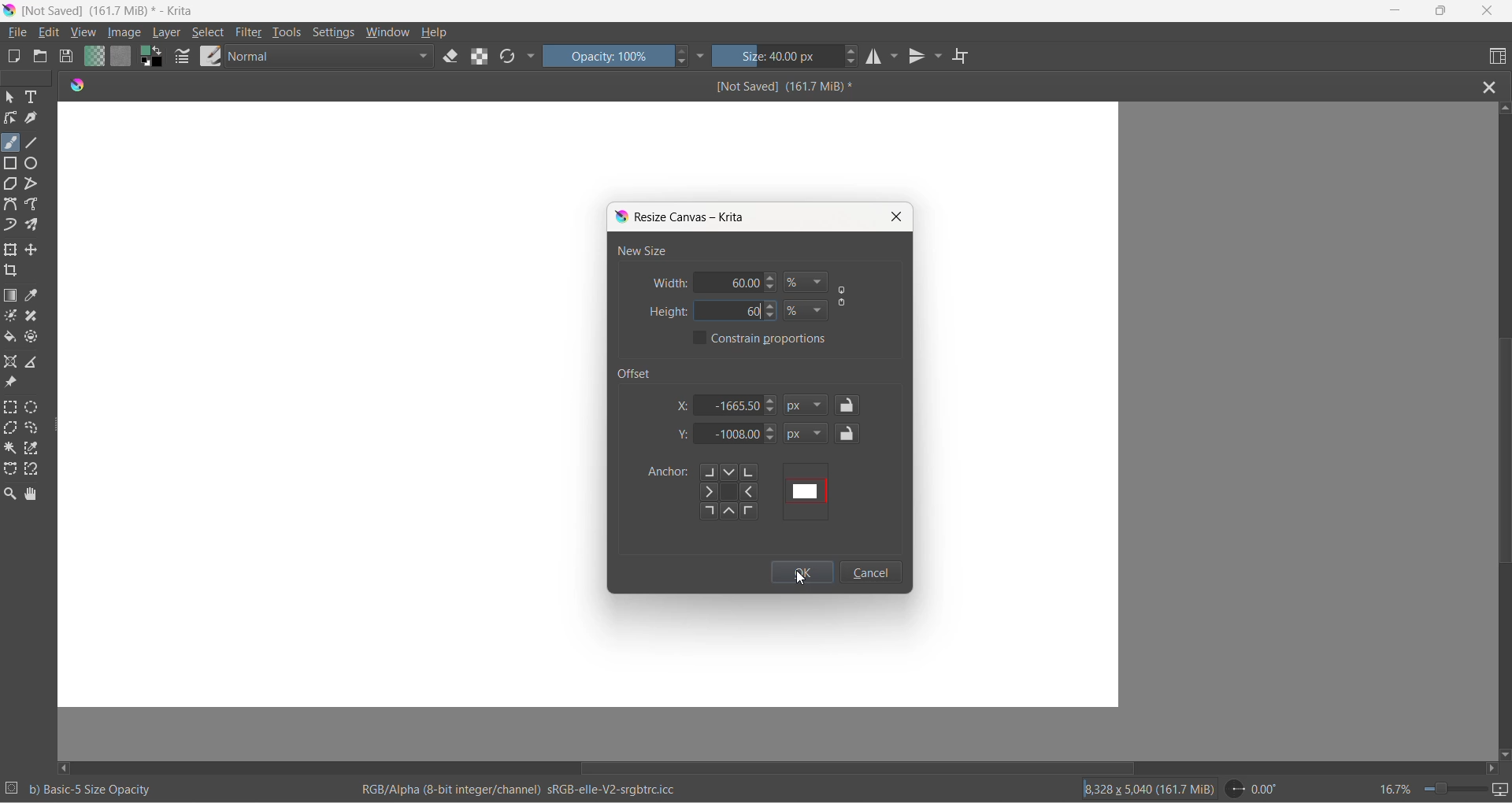 The image size is (1512, 803). What do you see at coordinates (939, 58) in the screenshot?
I see `vertical mirror setting dropdown button` at bounding box center [939, 58].